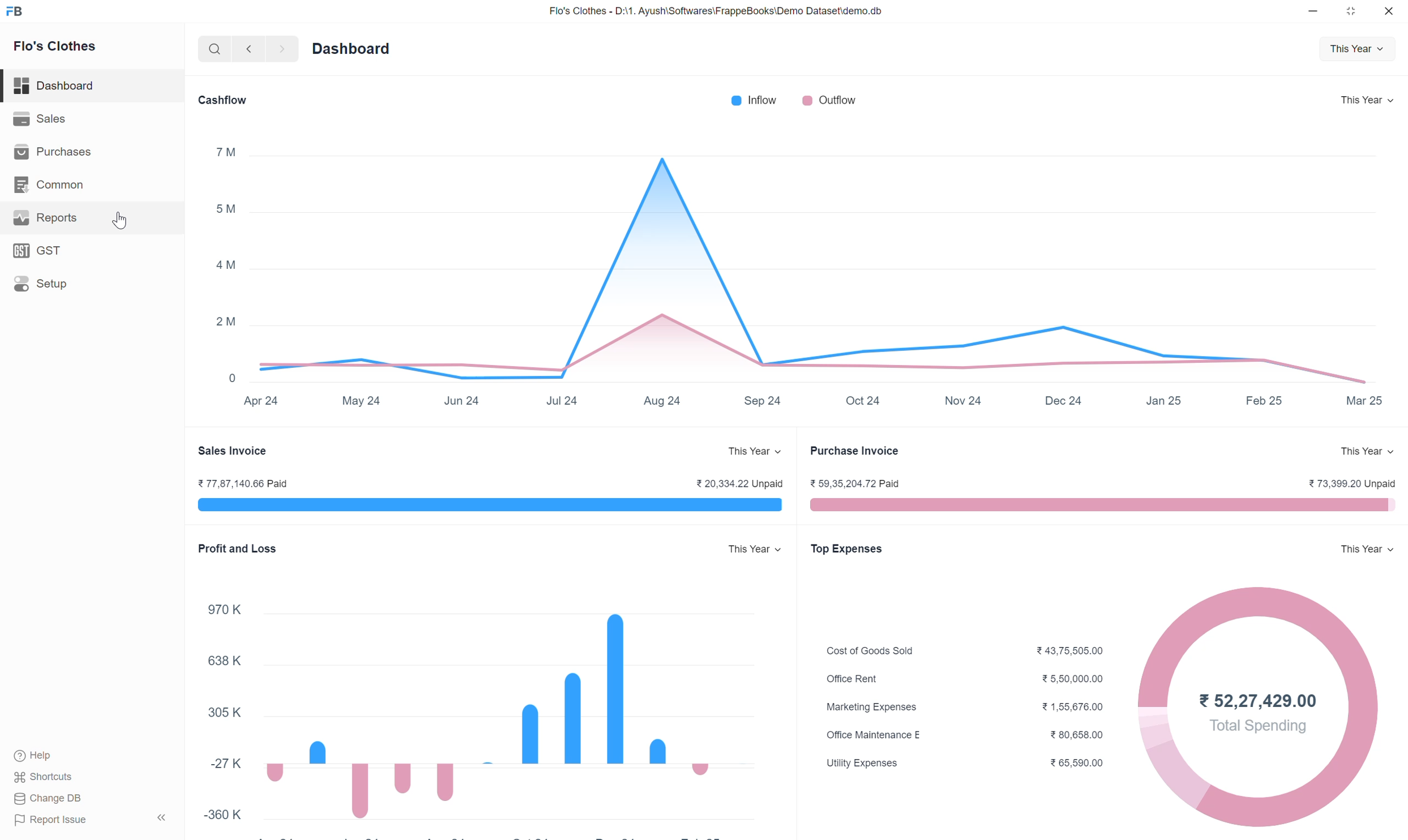 Image resolution: width=1408 pixels, height=840 pixels. Describe the element at coordinates (226, 322) in the screenshot. I see `2M` at that location.